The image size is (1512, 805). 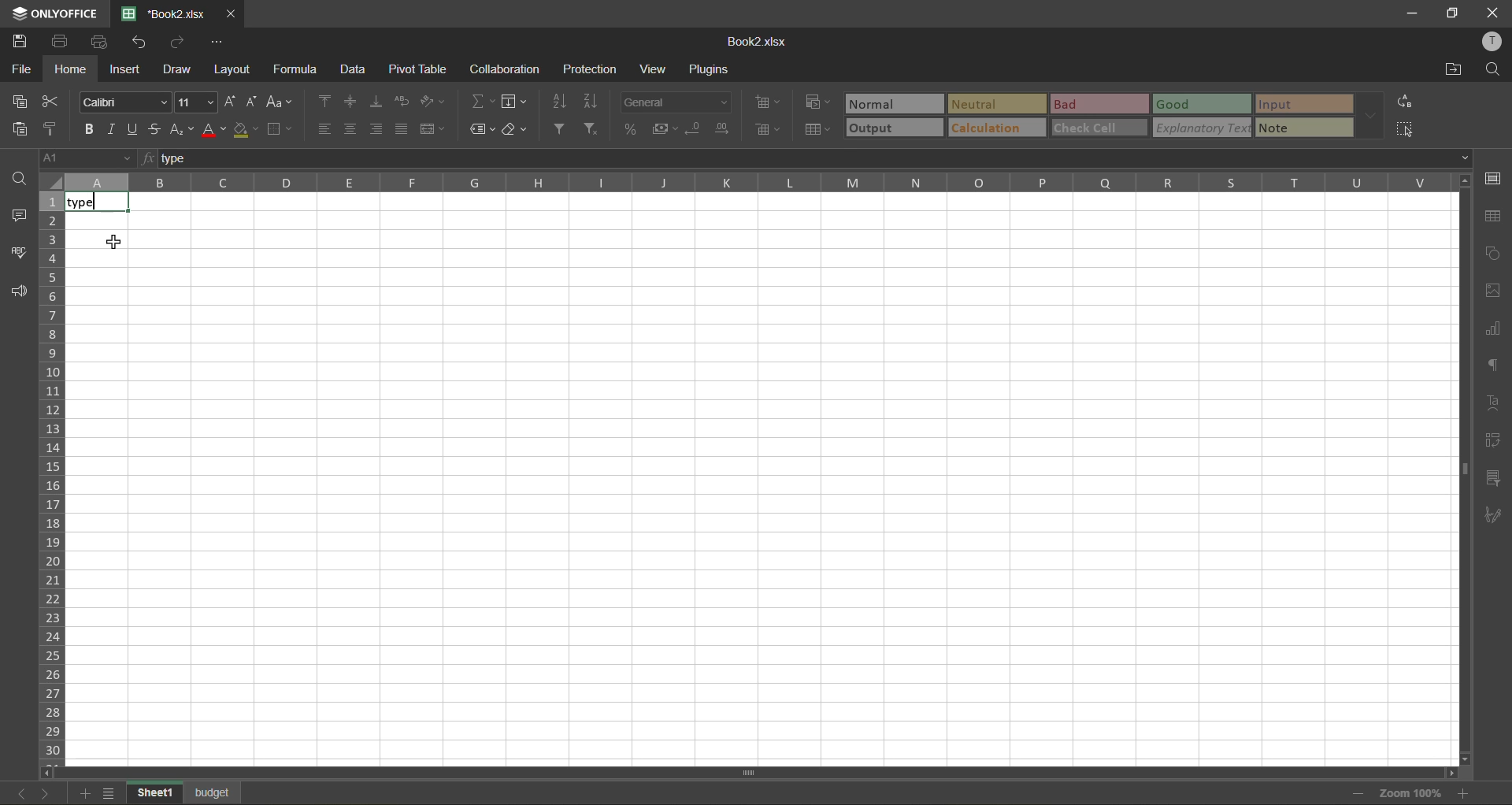 What do you see at coordinates (160, 130) in the screenshot?
I see `strikethrough` at bounding box center [160, 130].